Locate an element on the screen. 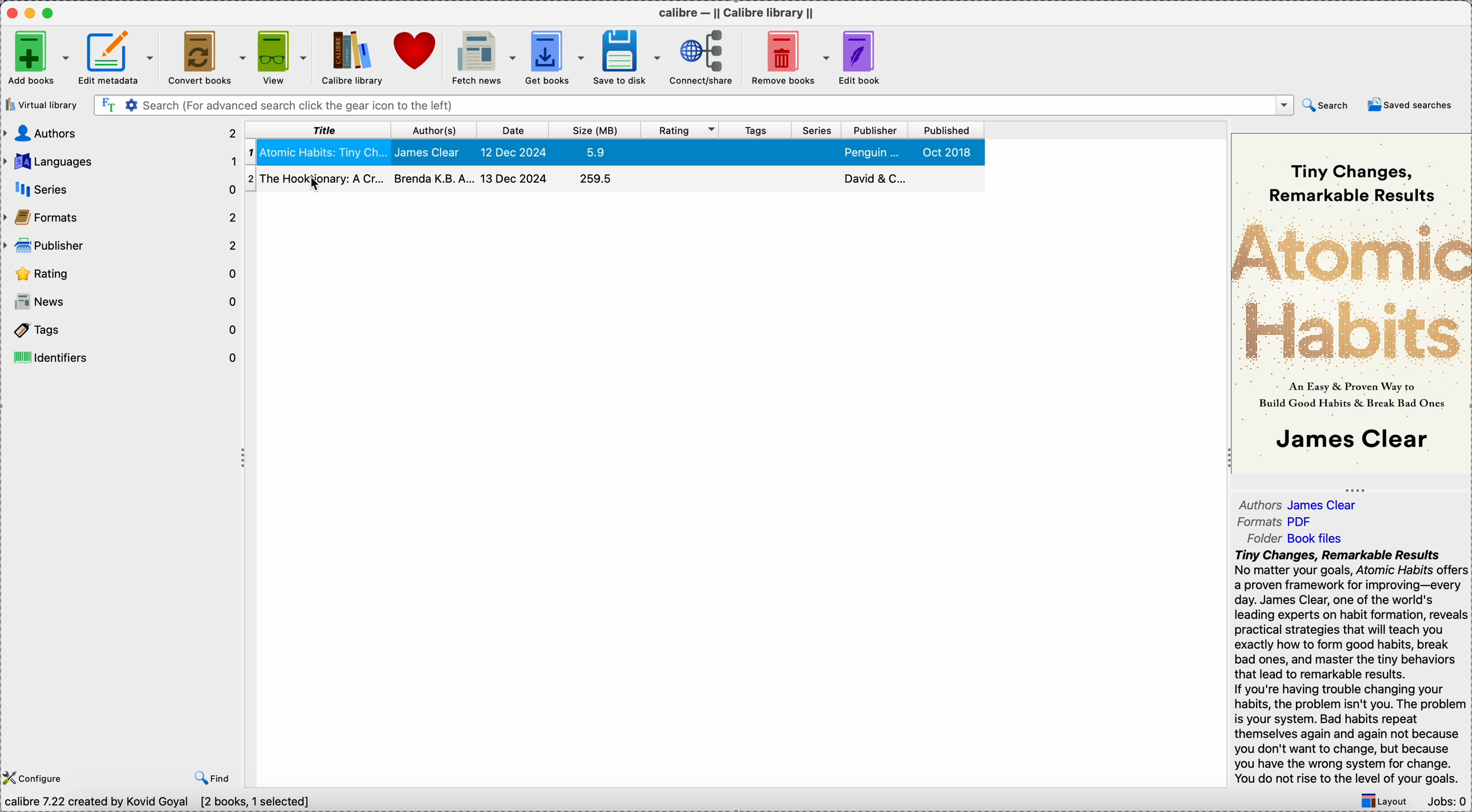  series is located at coordinates (816, 130).